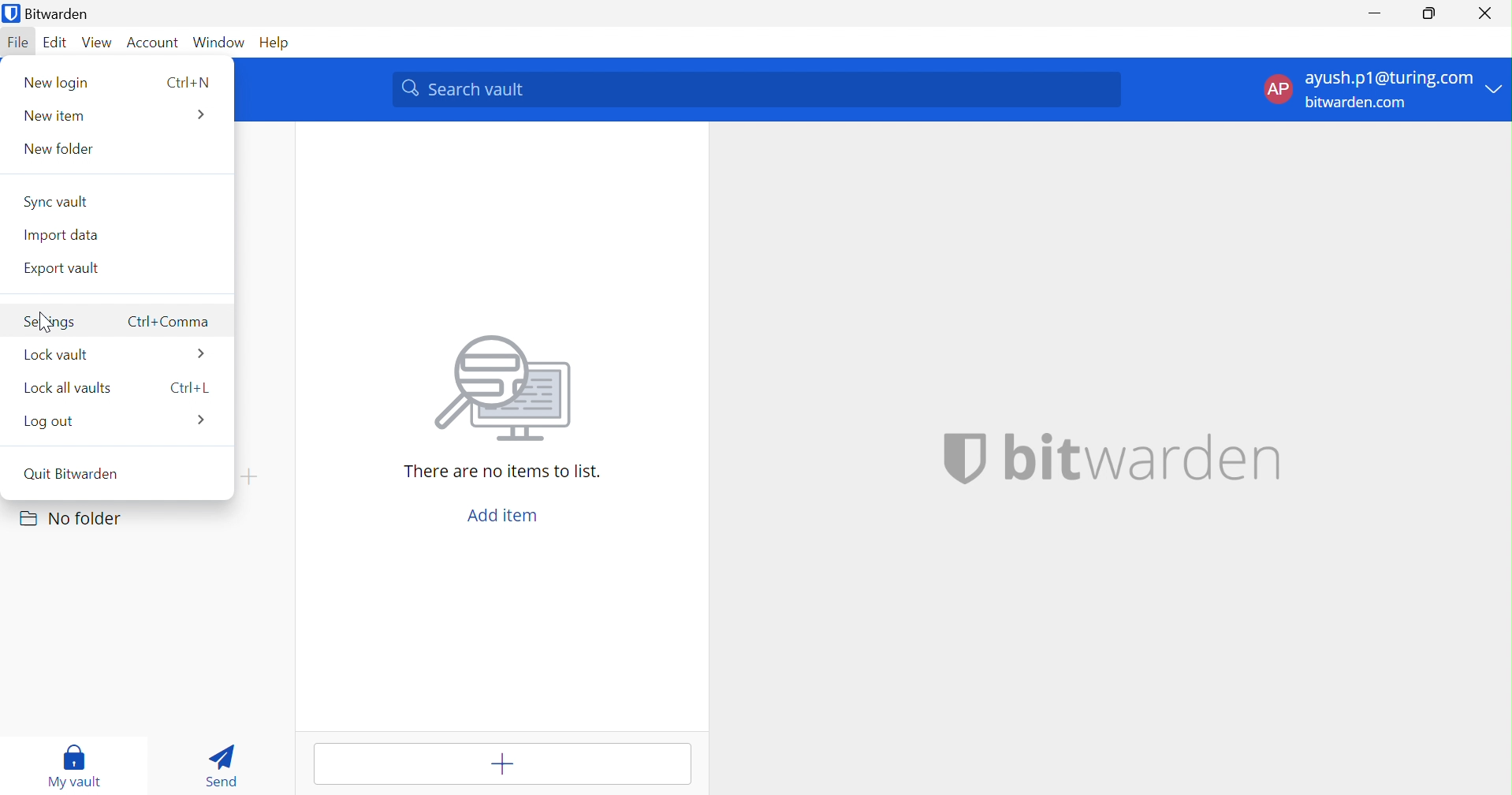 The width and height of the screenshot is (1512, 795). I want to click on Bitwarden, so click(51, 13).